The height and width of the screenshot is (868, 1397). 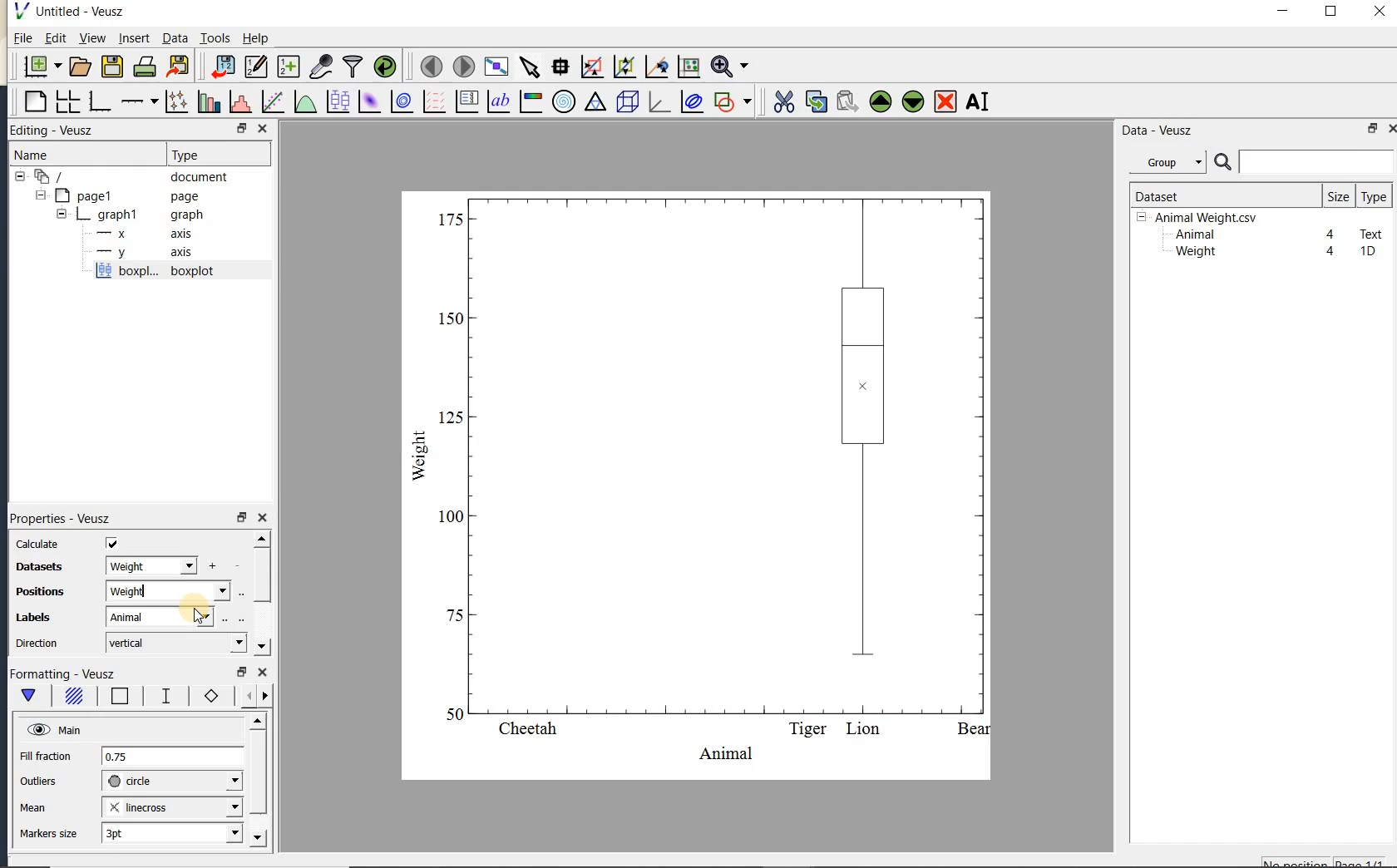 What do you see at coordinates (169, 591) in the screenshot?
I see `Weight` at bounding box center [169, 591].